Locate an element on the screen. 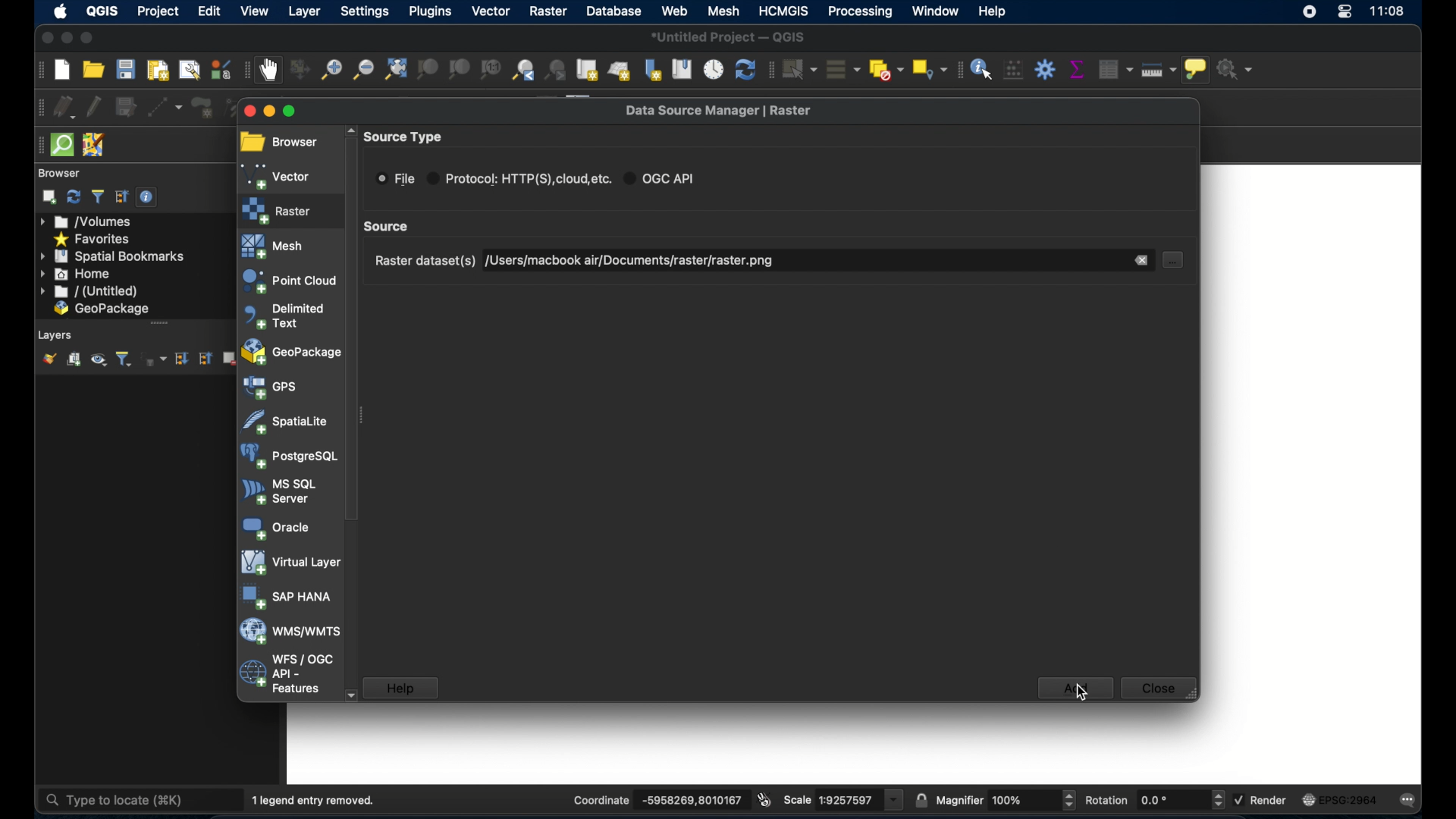 This screenshot has height=819, width=1456. raster dataset selected is located at coordinates (640, 261).